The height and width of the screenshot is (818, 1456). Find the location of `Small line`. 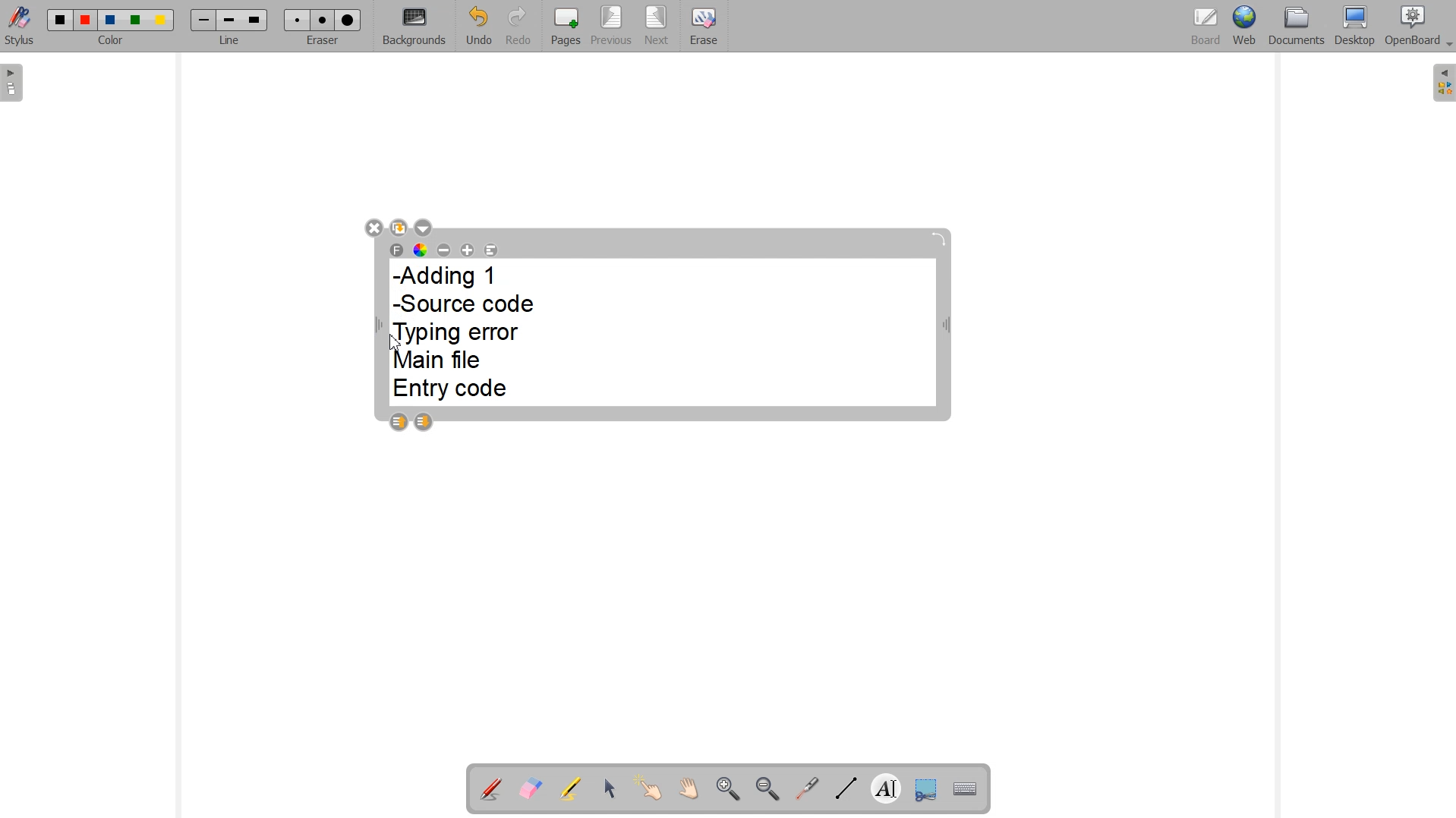

Small line is located at coordinates (204, 20).